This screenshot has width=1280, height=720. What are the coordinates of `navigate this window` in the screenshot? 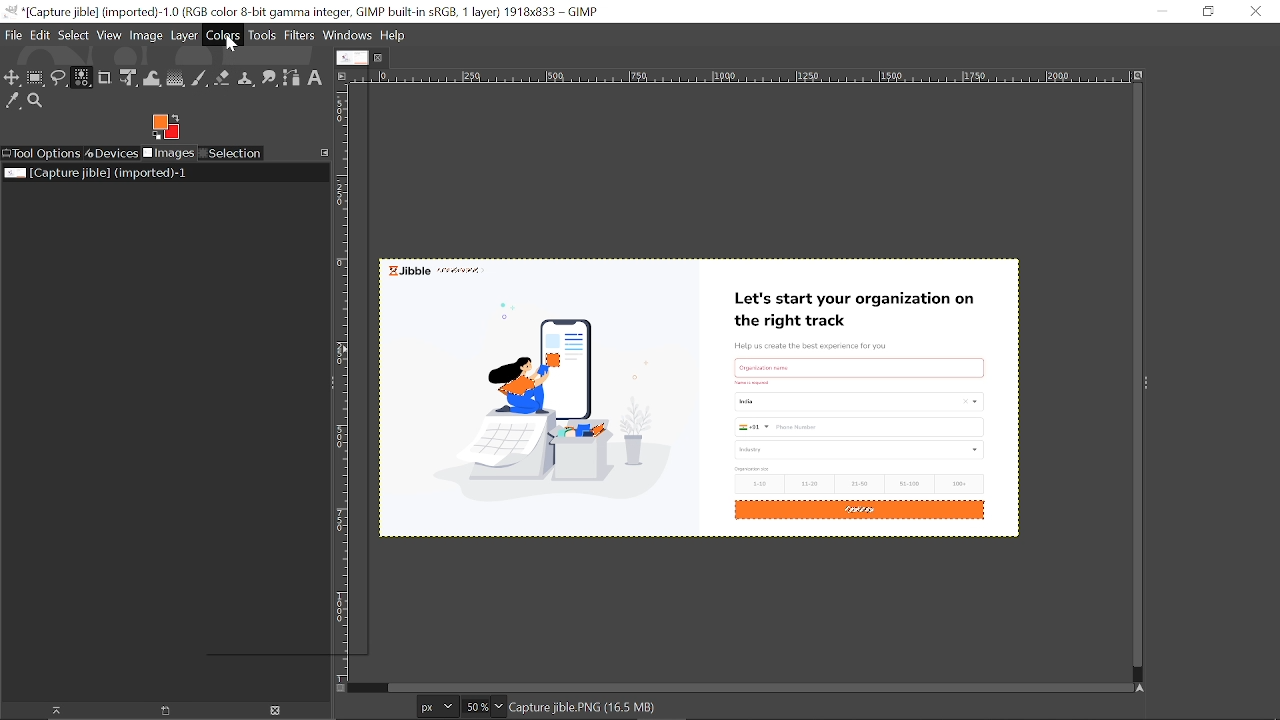 It's located at (1144, 687).